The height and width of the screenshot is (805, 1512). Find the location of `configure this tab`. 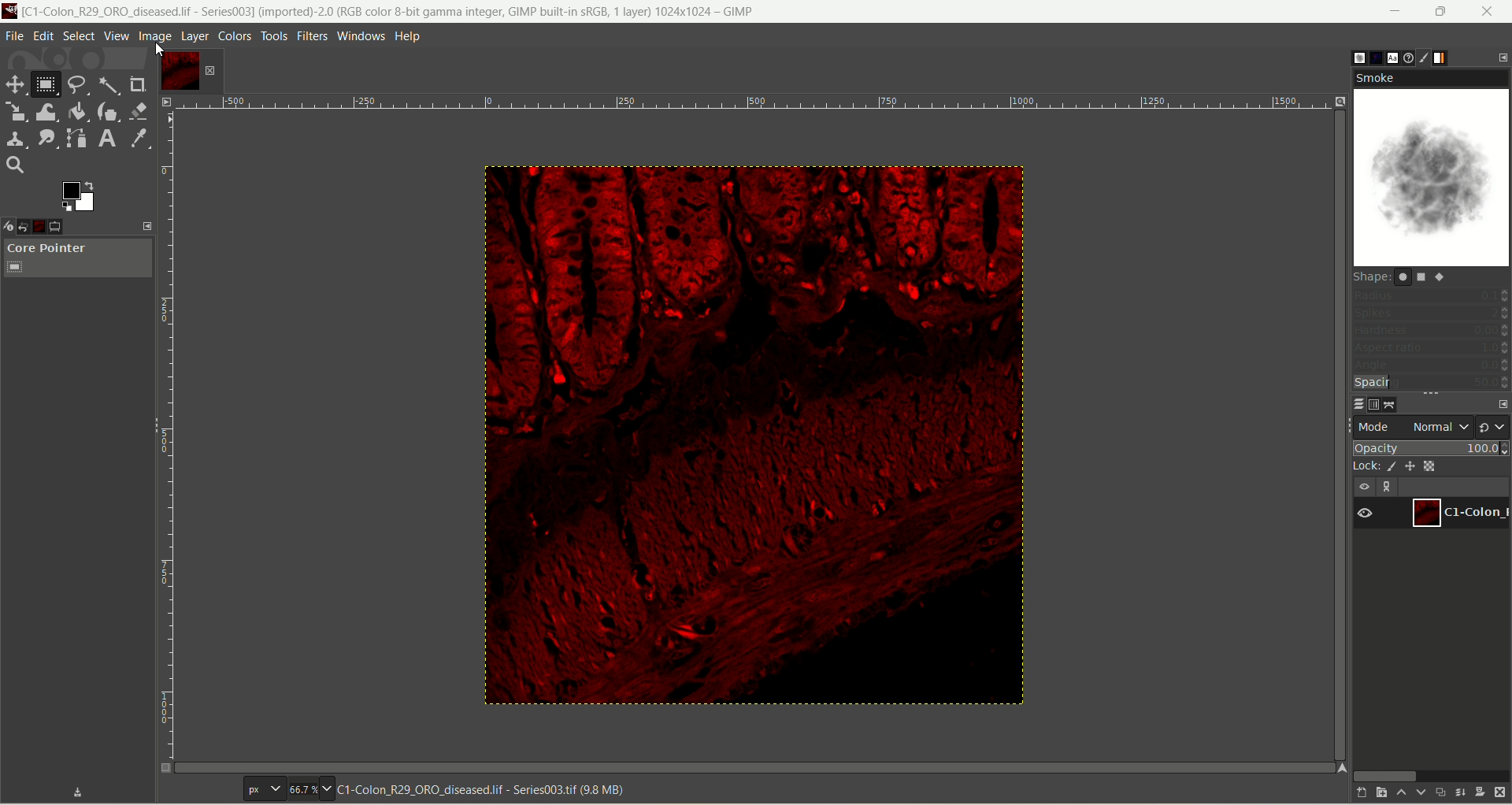

configure this tab is located at coordinates (1501, 57).